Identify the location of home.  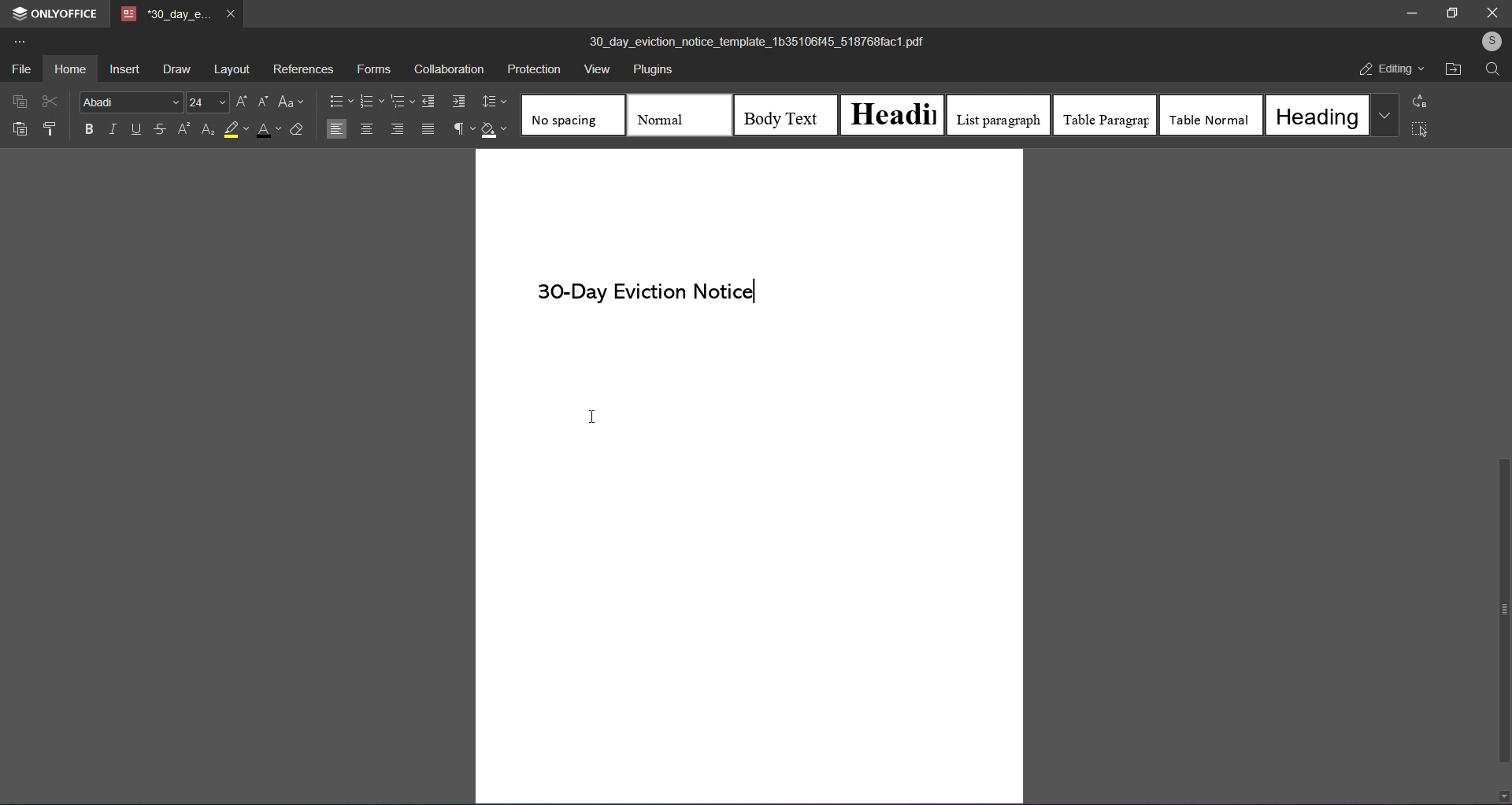
(69, 68).